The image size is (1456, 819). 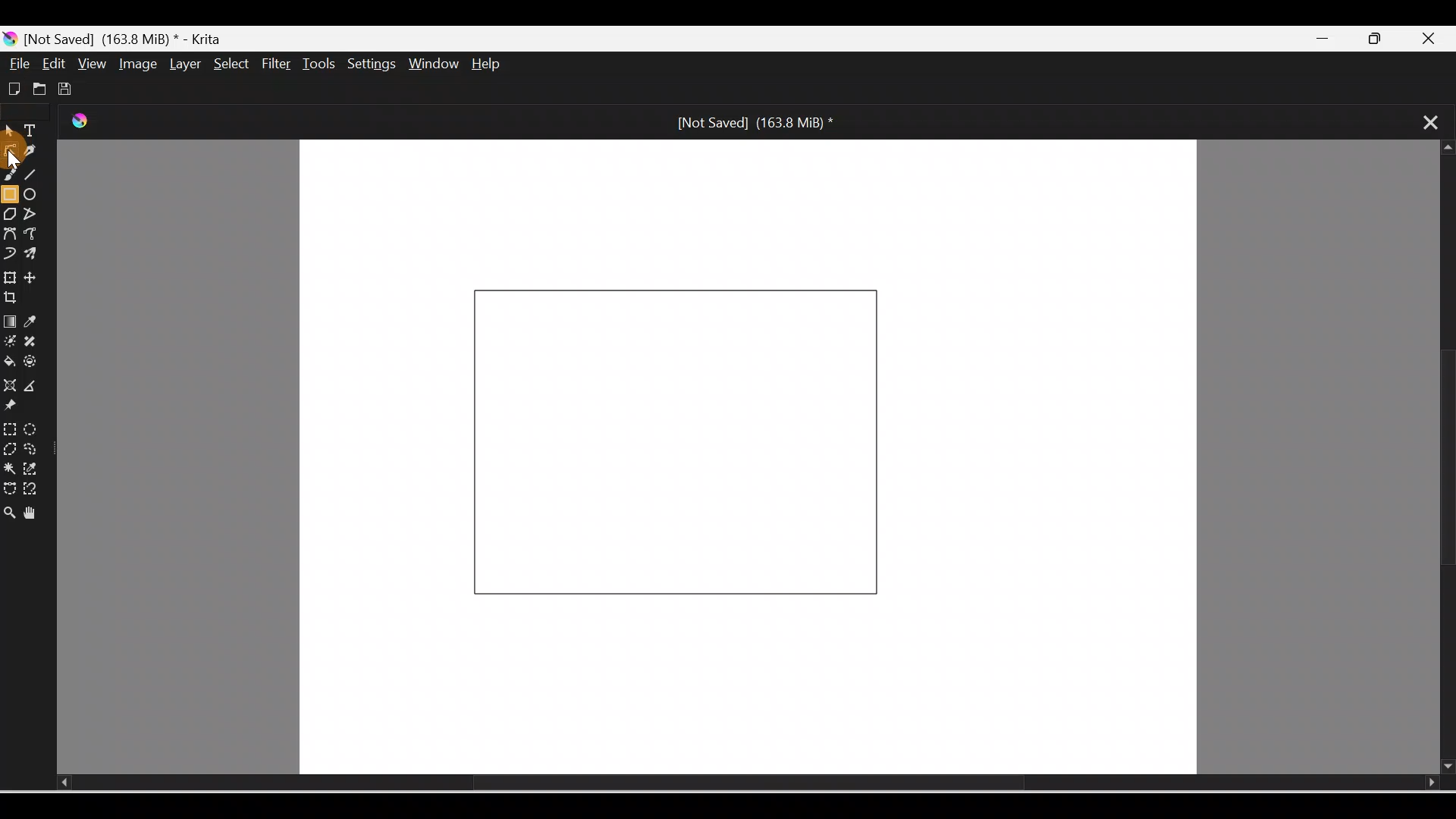 What do you see at coordinates (121, 37) in the screenshot?
I see `[Not Saved] (171.2 MiB) * - Krita` at bounding box center [121, 37].